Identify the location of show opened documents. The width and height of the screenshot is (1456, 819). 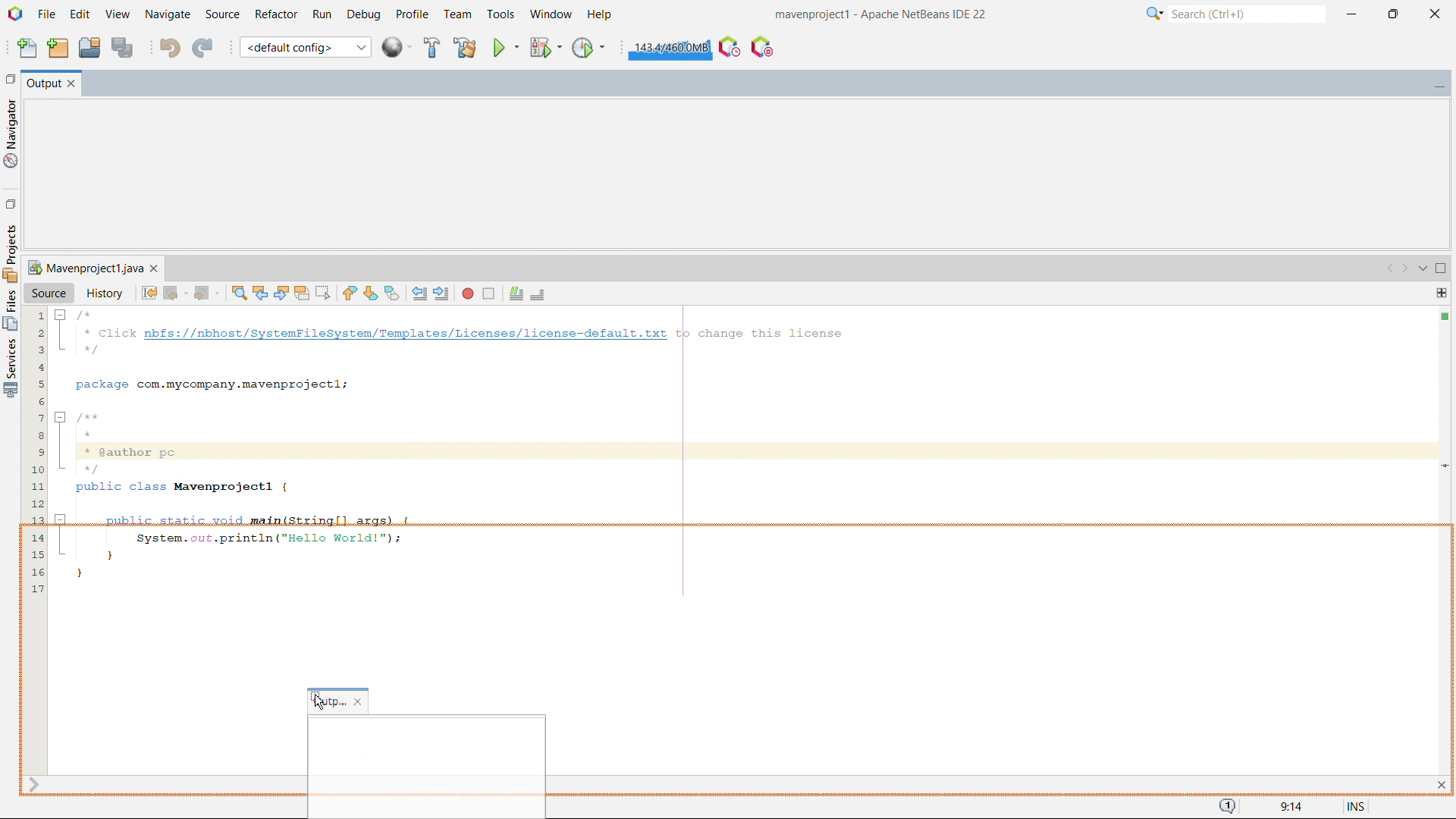
(1421, 269).